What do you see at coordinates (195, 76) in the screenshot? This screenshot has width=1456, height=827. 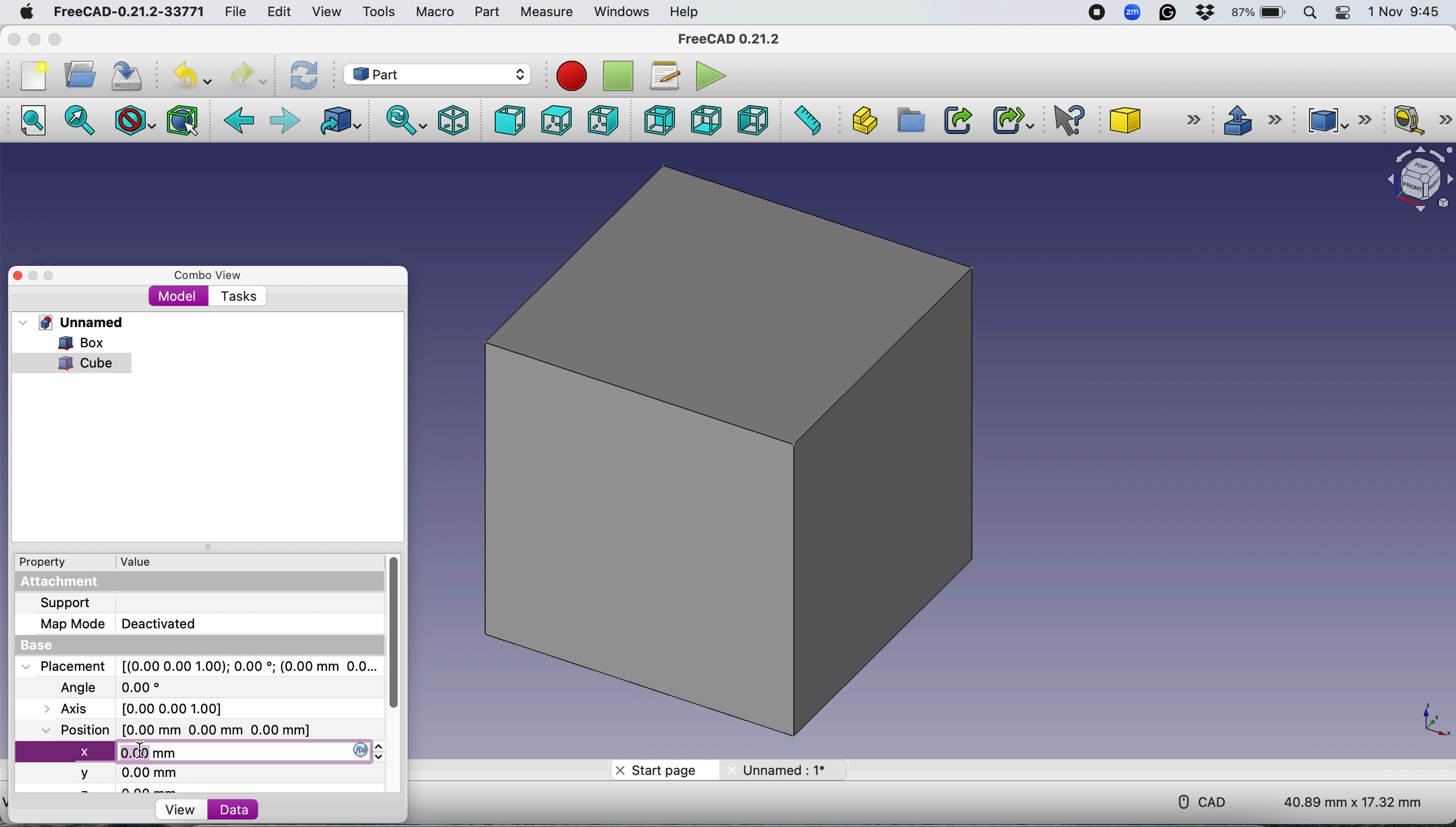 I see `Undo` at bounding box center [195, 76].